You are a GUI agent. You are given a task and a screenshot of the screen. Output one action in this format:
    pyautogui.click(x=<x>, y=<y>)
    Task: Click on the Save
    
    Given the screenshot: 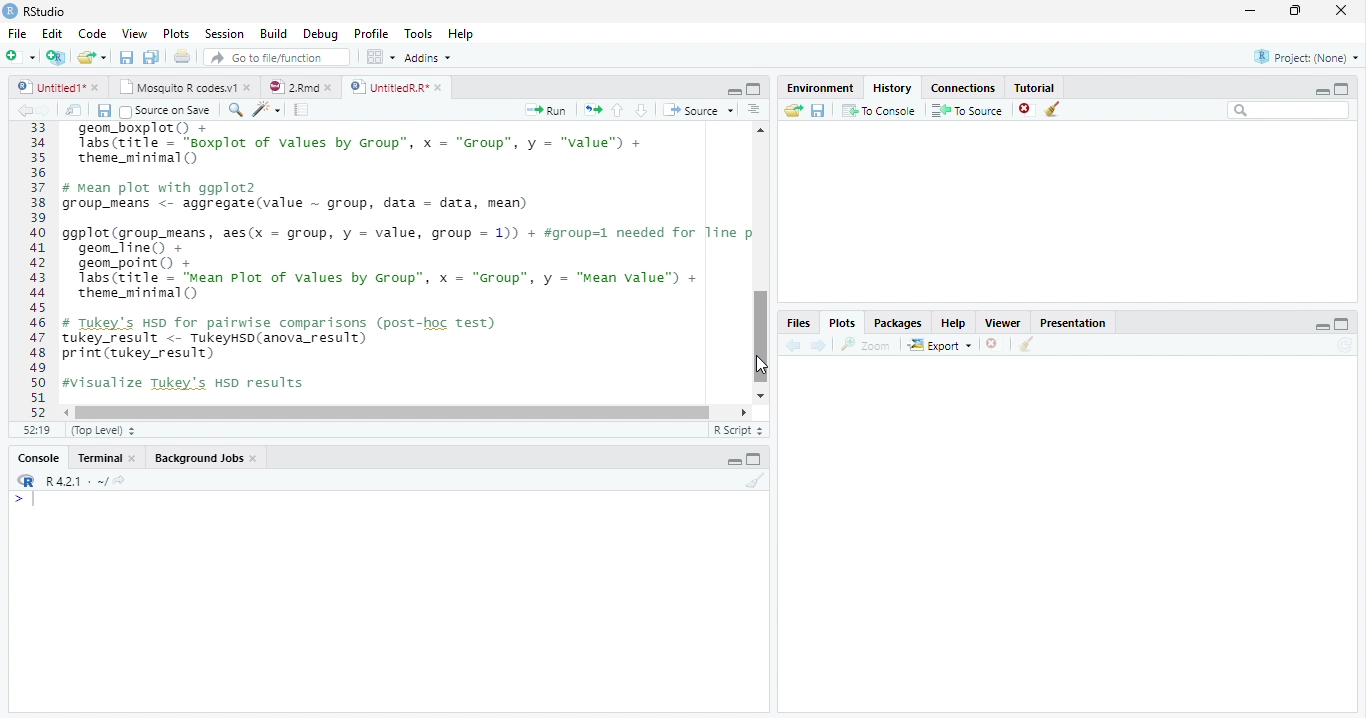 What is the action you would take?
    pyautogui.click(x=128, y=58)
    